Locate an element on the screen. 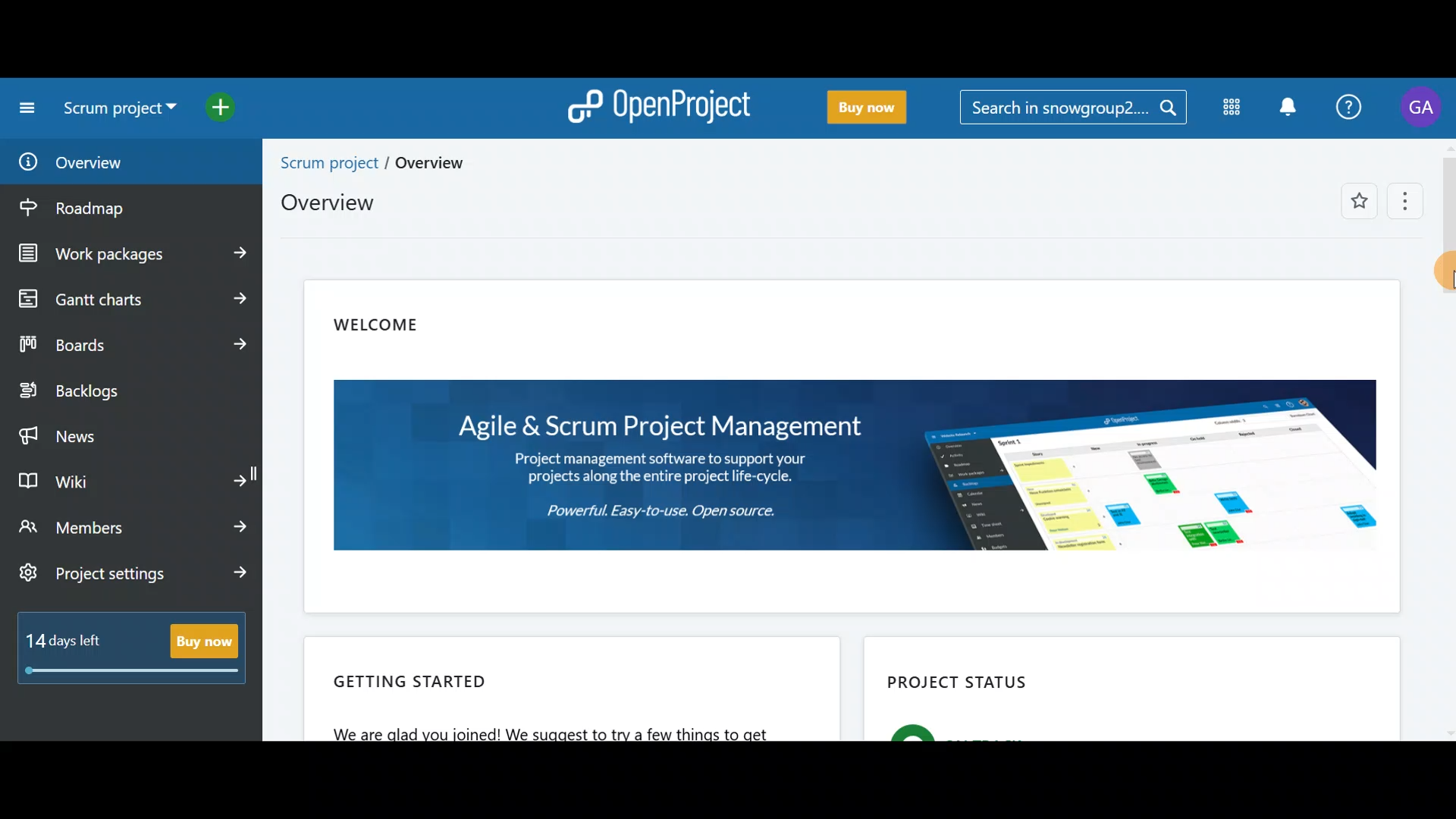 The width and height of the screenshot is (1456, 819). Gantt charts is located at coordinates (129, 297).